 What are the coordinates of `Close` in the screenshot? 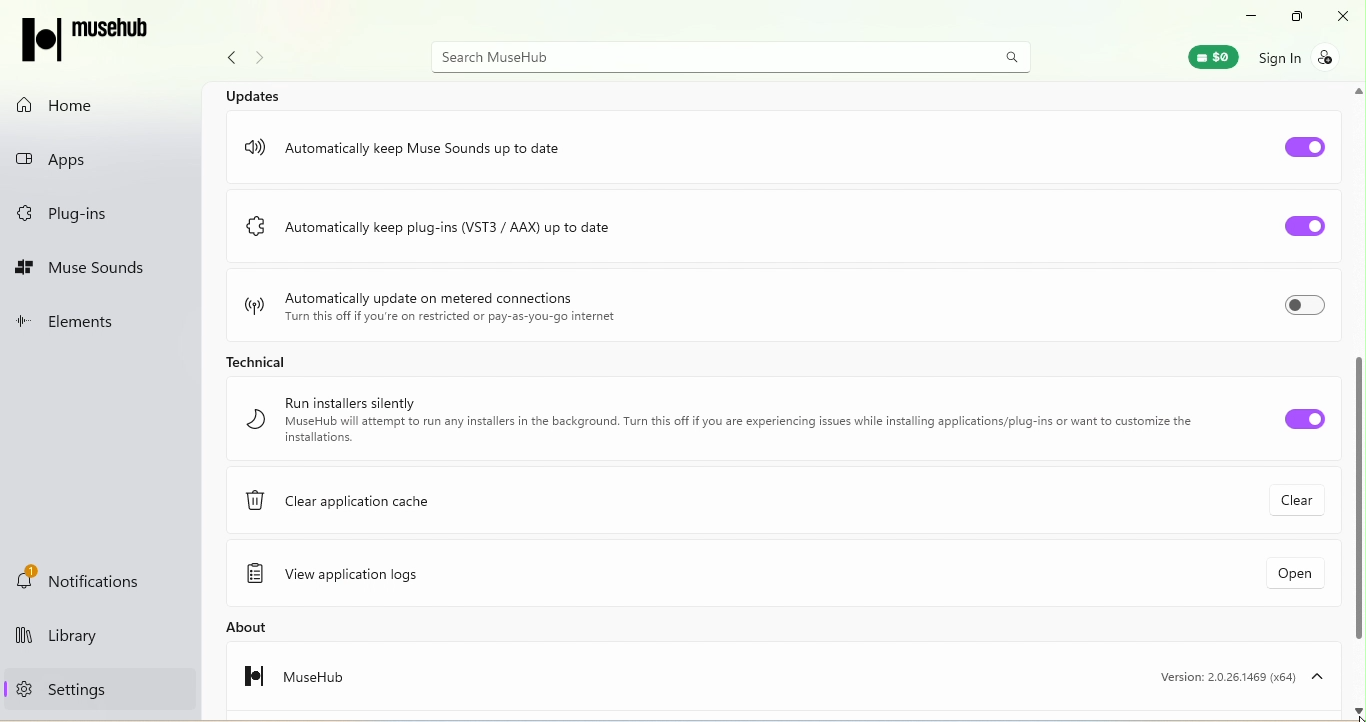 It's located at (1346, 17).